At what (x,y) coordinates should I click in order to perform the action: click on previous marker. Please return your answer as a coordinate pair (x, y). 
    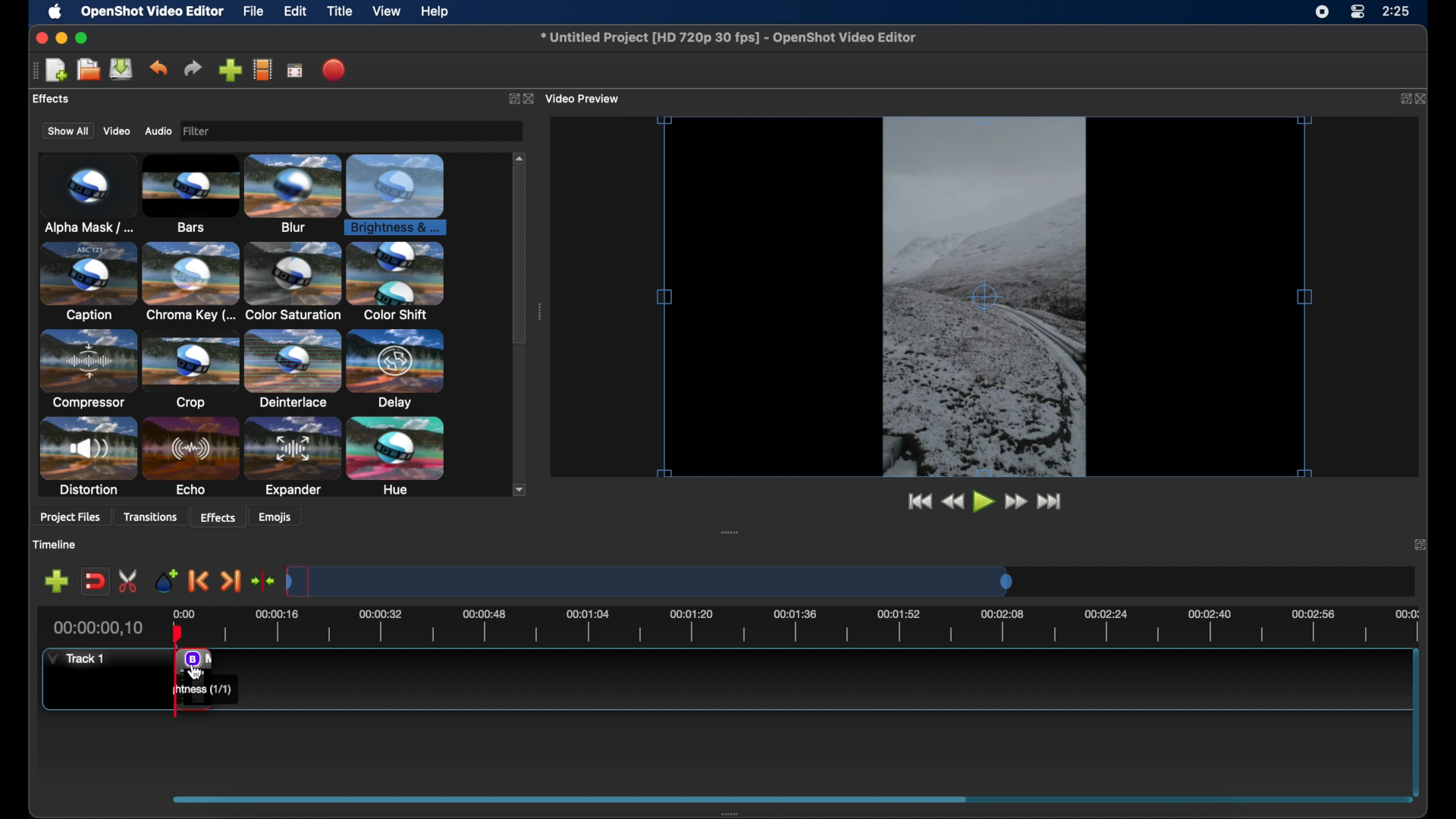
    Looking at the image, I should click on (196, 580).